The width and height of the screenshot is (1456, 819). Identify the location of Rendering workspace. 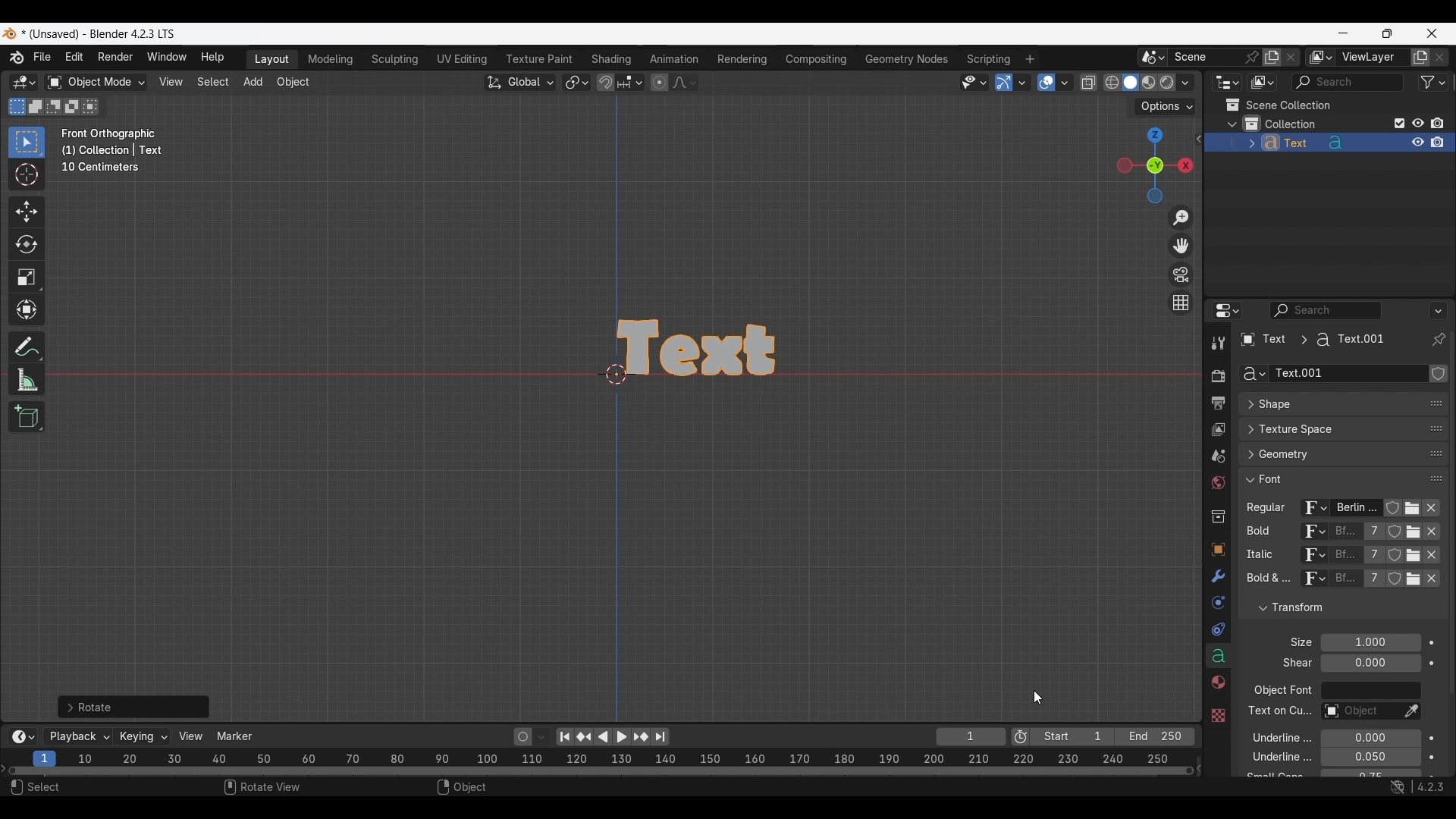
(742, 58).